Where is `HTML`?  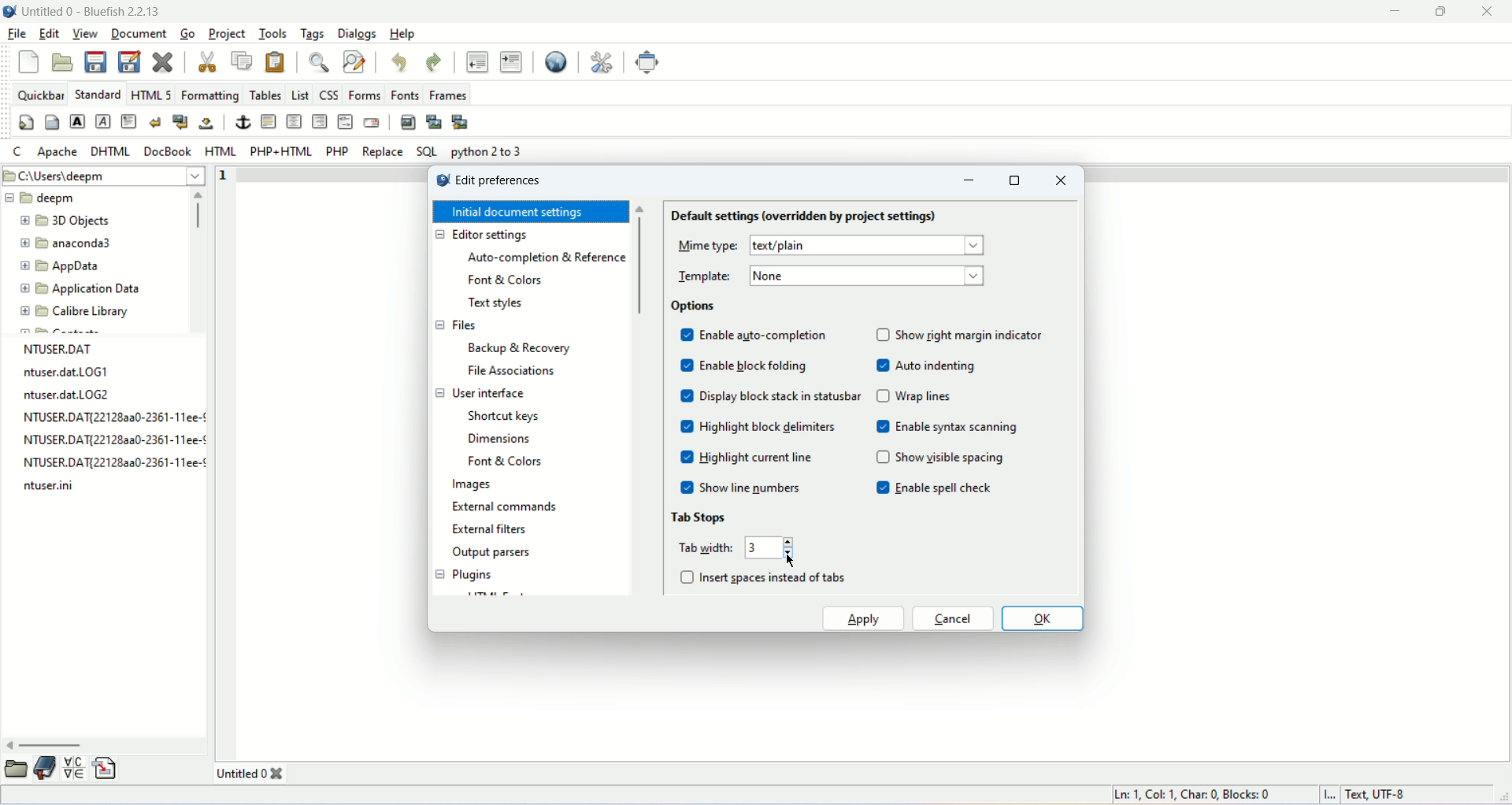 HTML is located at coordinates (220, 151).